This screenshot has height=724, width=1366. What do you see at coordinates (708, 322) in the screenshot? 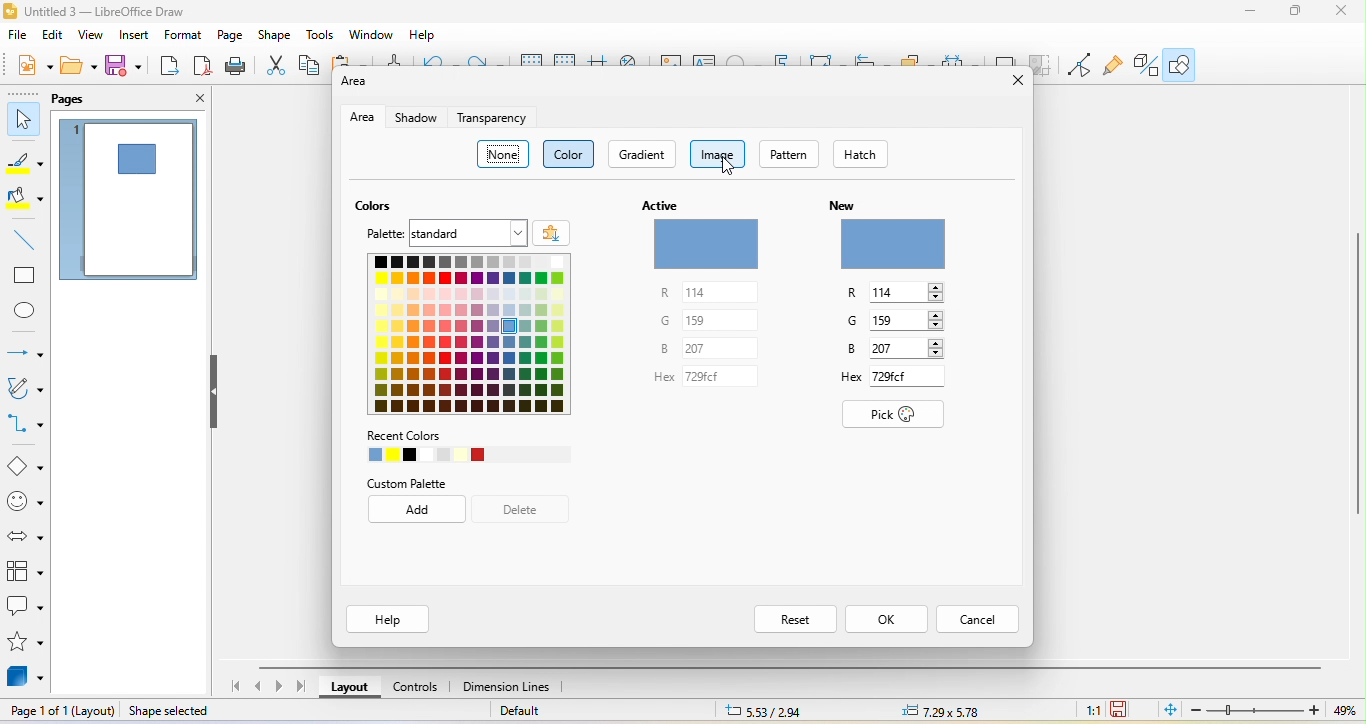
I see `g 159` at bounding box center [708, 322].